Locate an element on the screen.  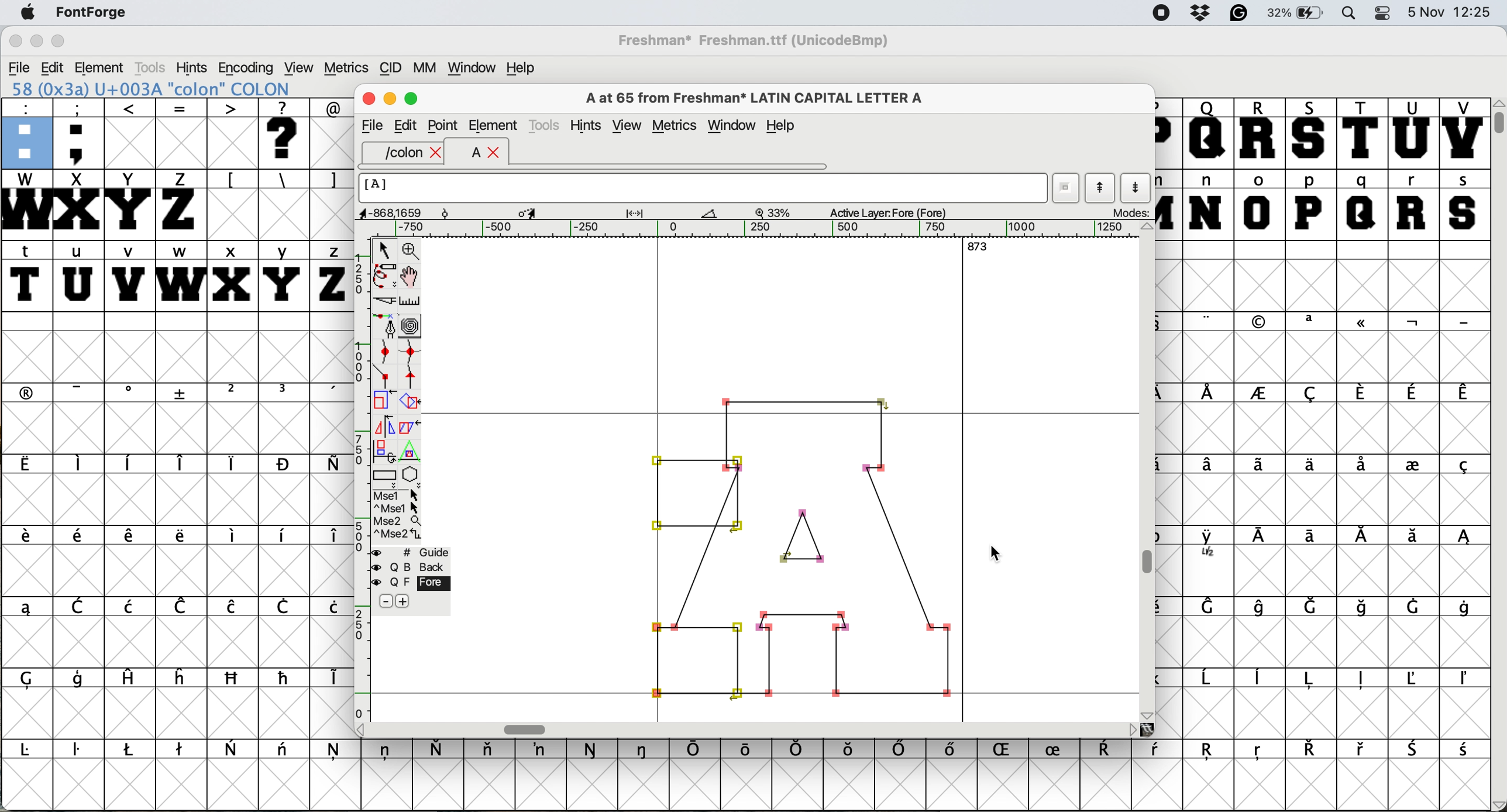
window is located at coordinates (732, 125).